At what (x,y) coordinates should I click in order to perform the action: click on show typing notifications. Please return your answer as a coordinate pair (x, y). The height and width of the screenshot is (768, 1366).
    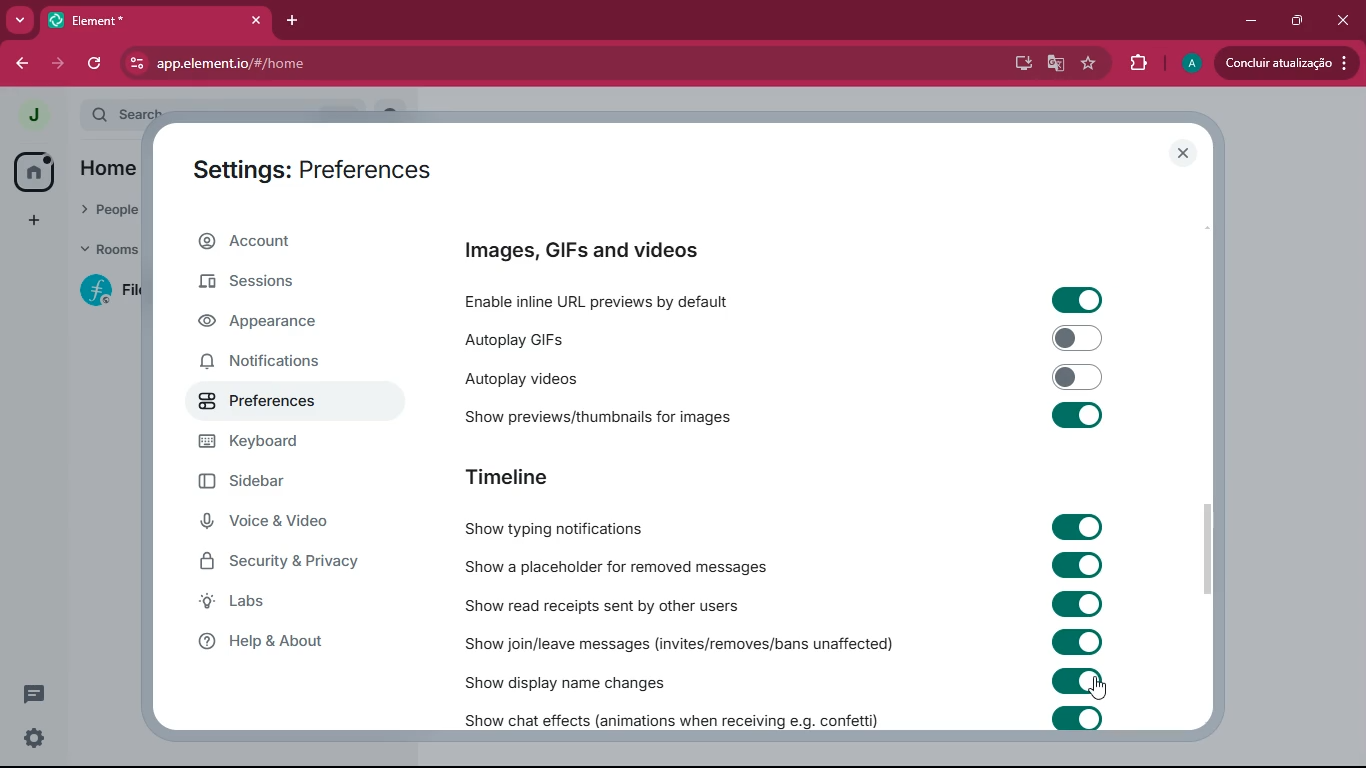
    Looking at the image, I should click on (561, 528).